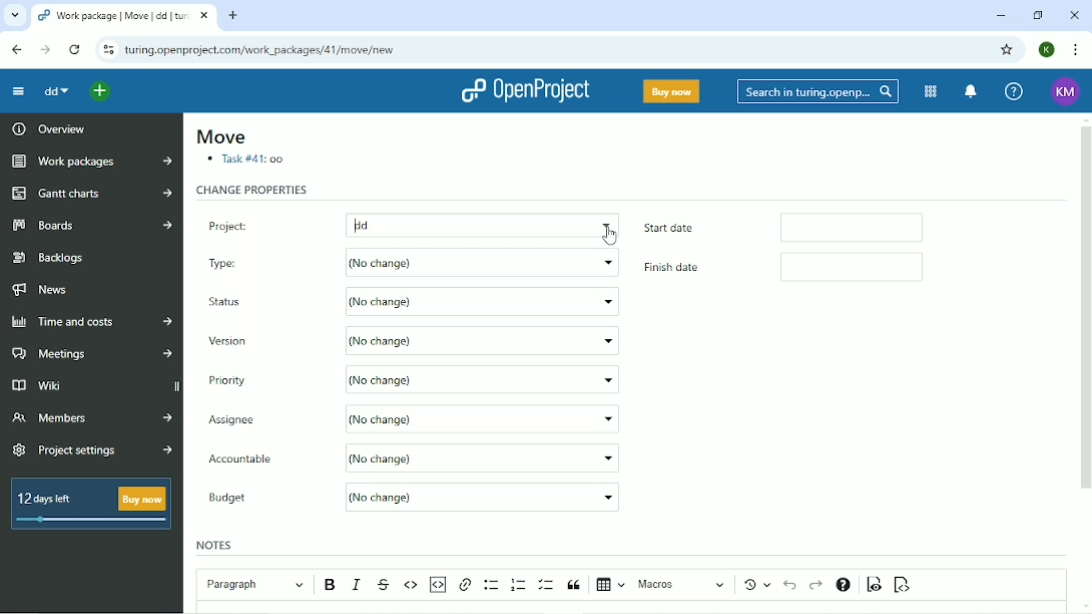 This screenshot has height=614, width=1092. I want to click on KM, so click(1067, 91).